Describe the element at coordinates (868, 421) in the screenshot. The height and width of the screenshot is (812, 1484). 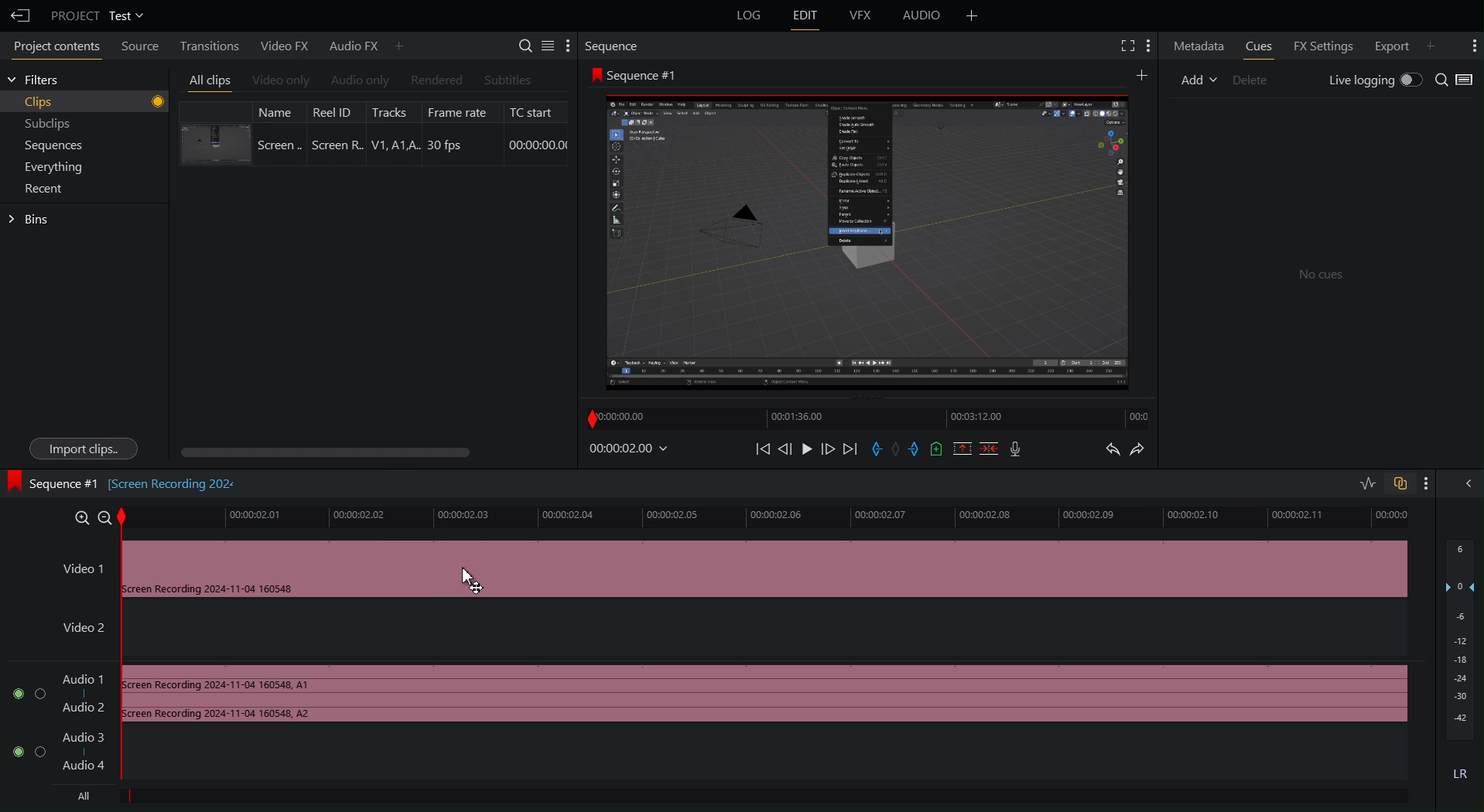
I see `Timeline` at that location.